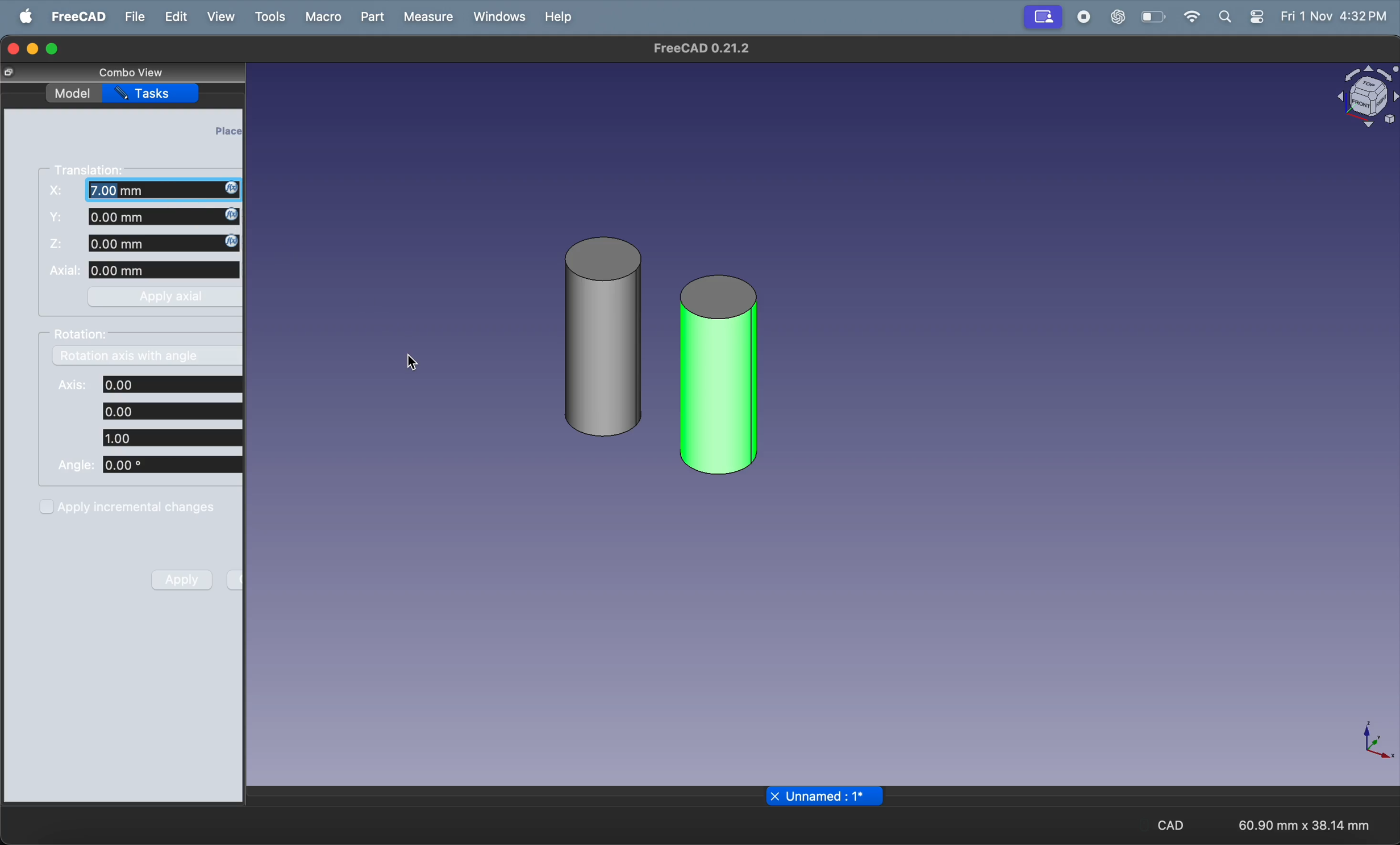 This screenshot has height=845, width=1400. I want to click on copy, so click(8, 73).